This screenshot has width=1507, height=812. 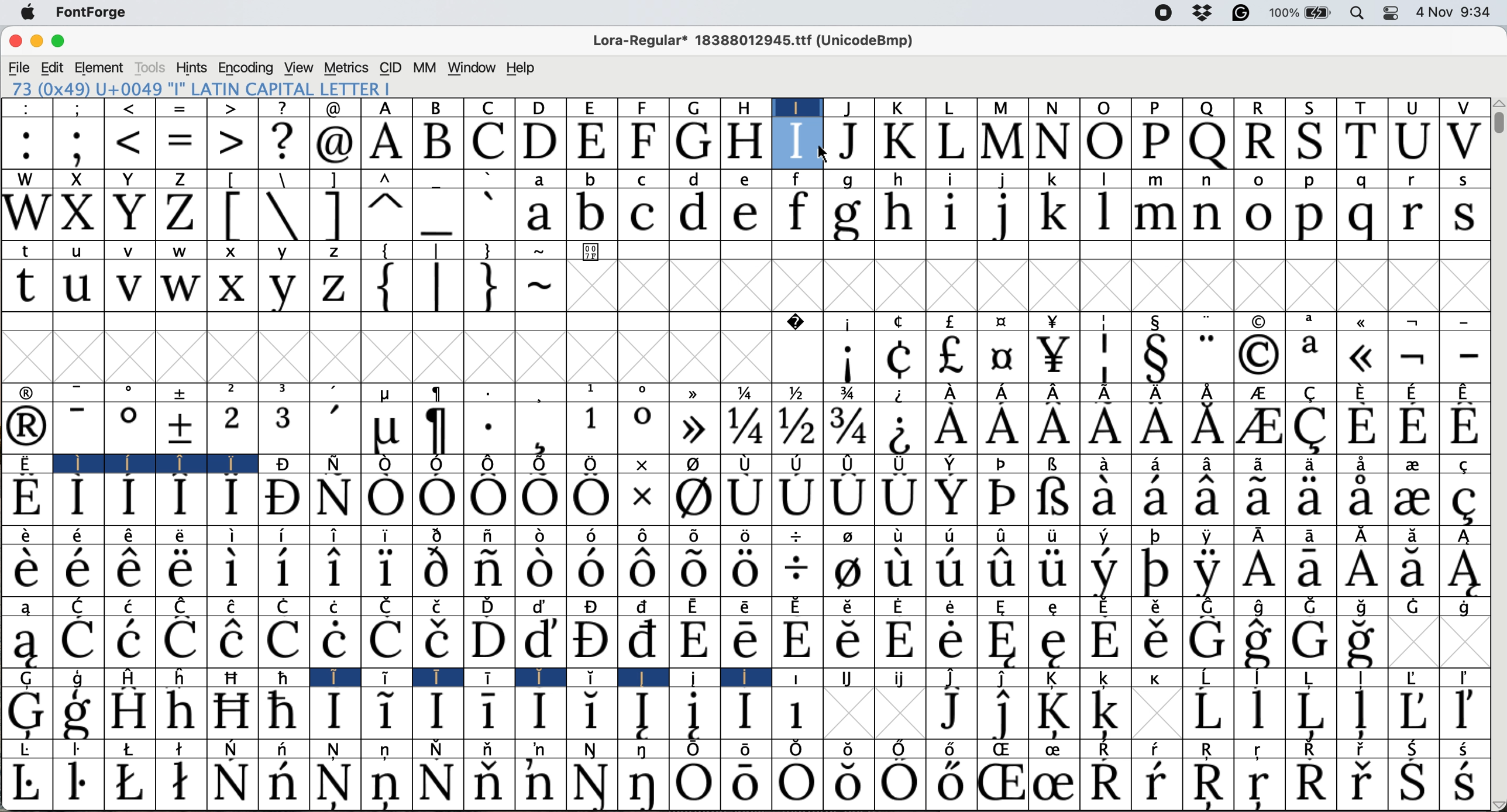 I want to click on symbol, so click(x=1106, y=322).